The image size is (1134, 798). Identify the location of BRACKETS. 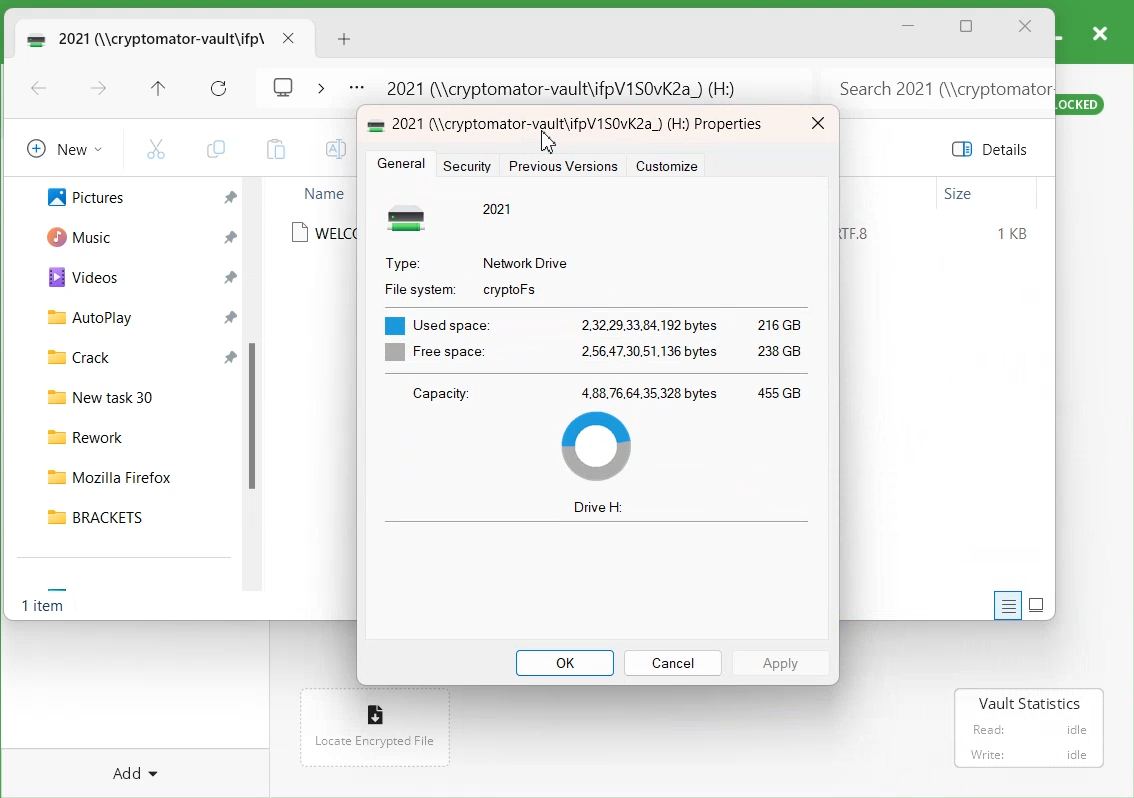
(131, 516).